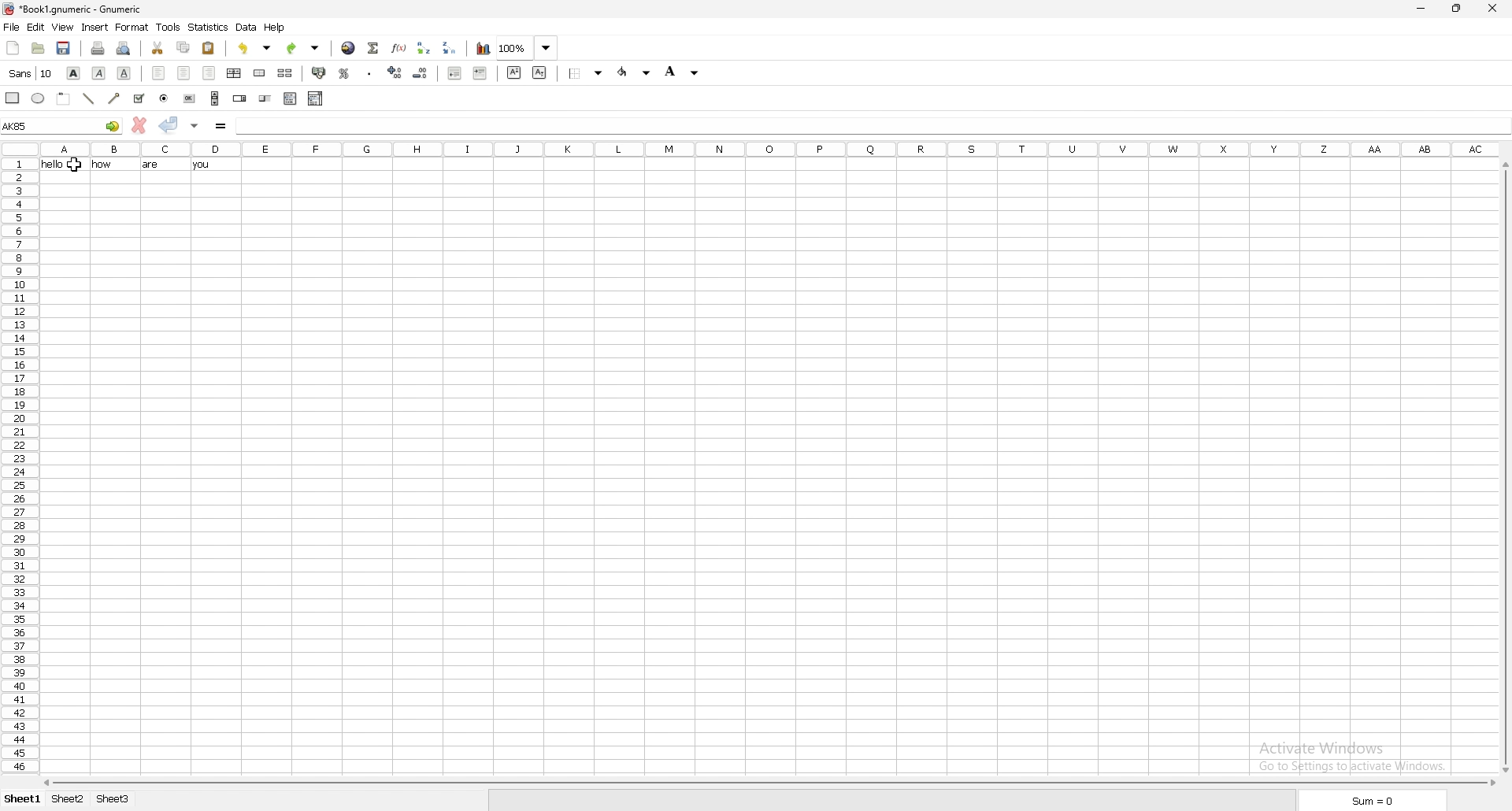  Describe the element at coordinates (36, 26) in the screenshot. I see `edit` at that location.